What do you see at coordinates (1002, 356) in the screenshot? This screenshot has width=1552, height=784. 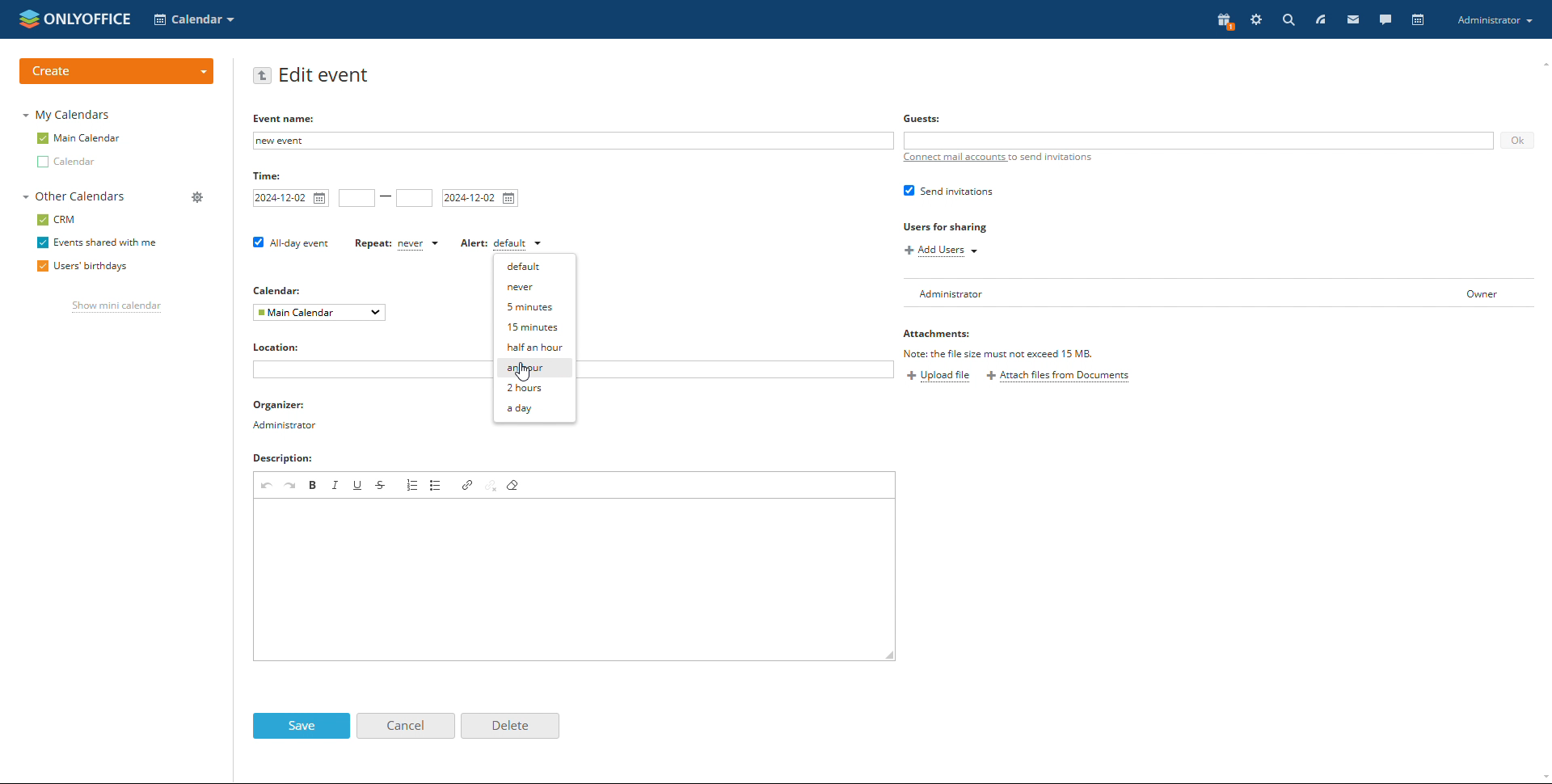 I see `file must not exceed 15MB TEXT` at bounding box center [1002, 356].